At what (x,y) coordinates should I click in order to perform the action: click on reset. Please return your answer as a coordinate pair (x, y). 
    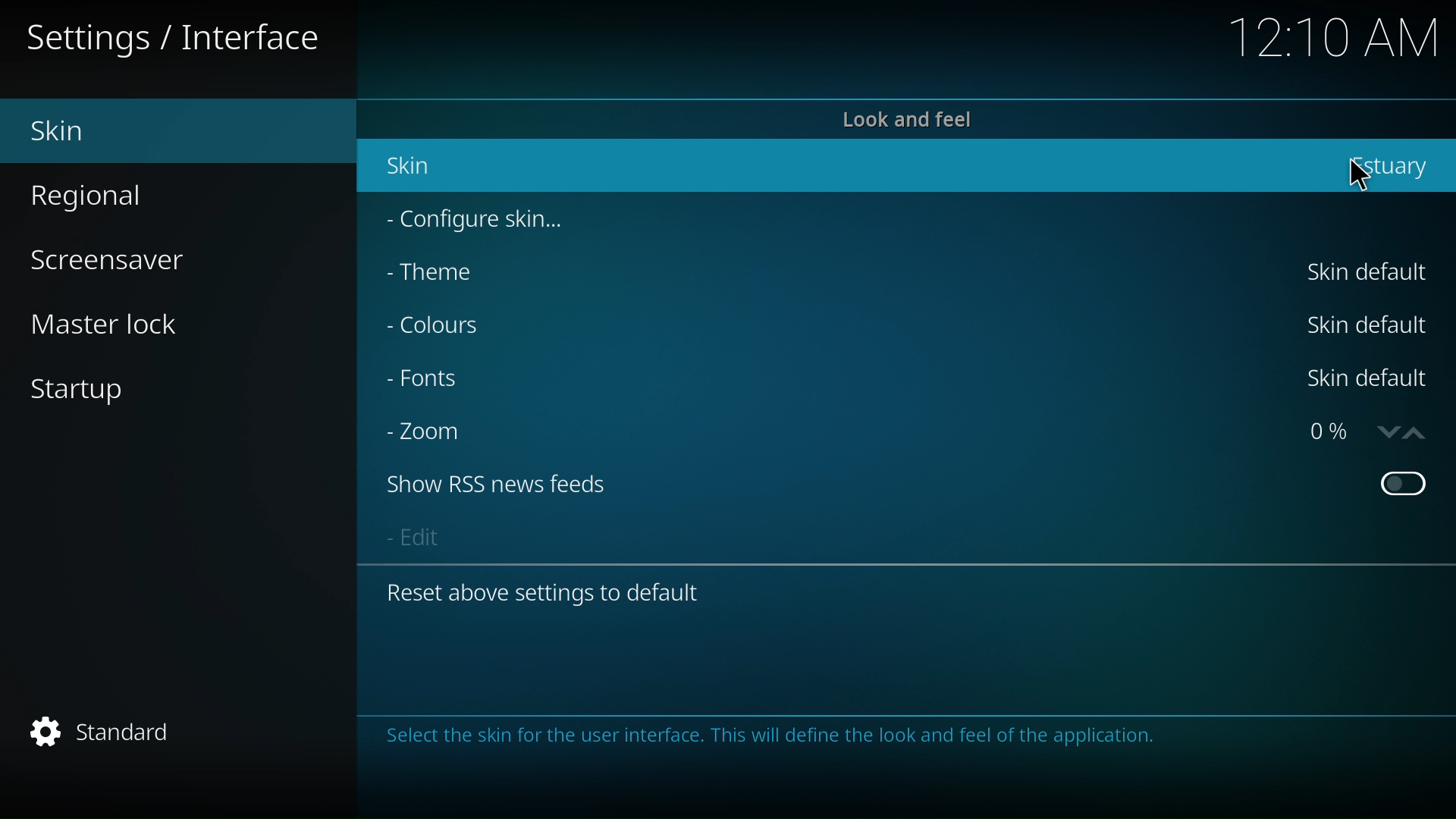
    Looking at the image, I should click on (557, 596).